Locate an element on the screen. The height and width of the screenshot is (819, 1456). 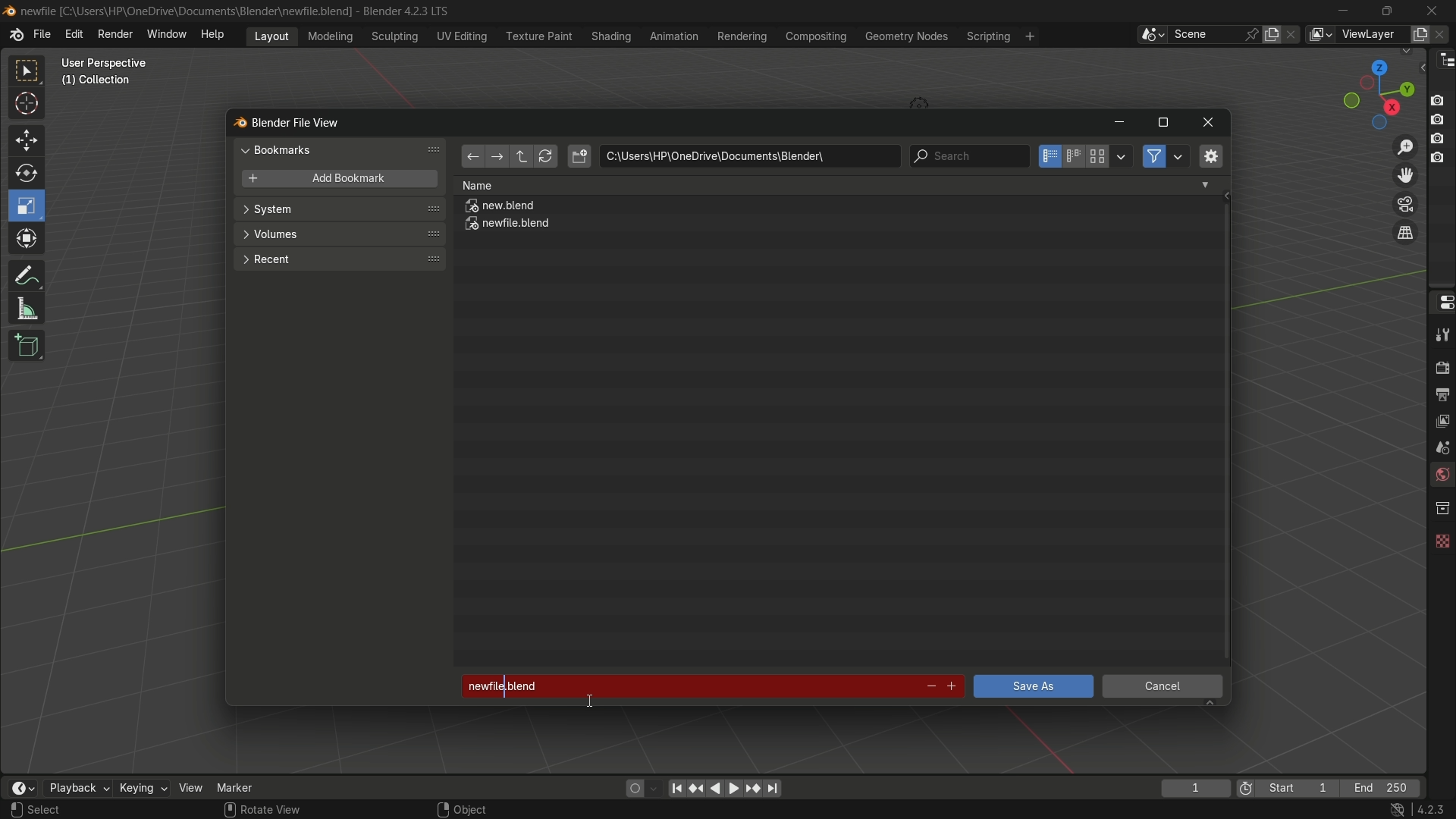
maximize or restore is located at coordinates (1163, 123).